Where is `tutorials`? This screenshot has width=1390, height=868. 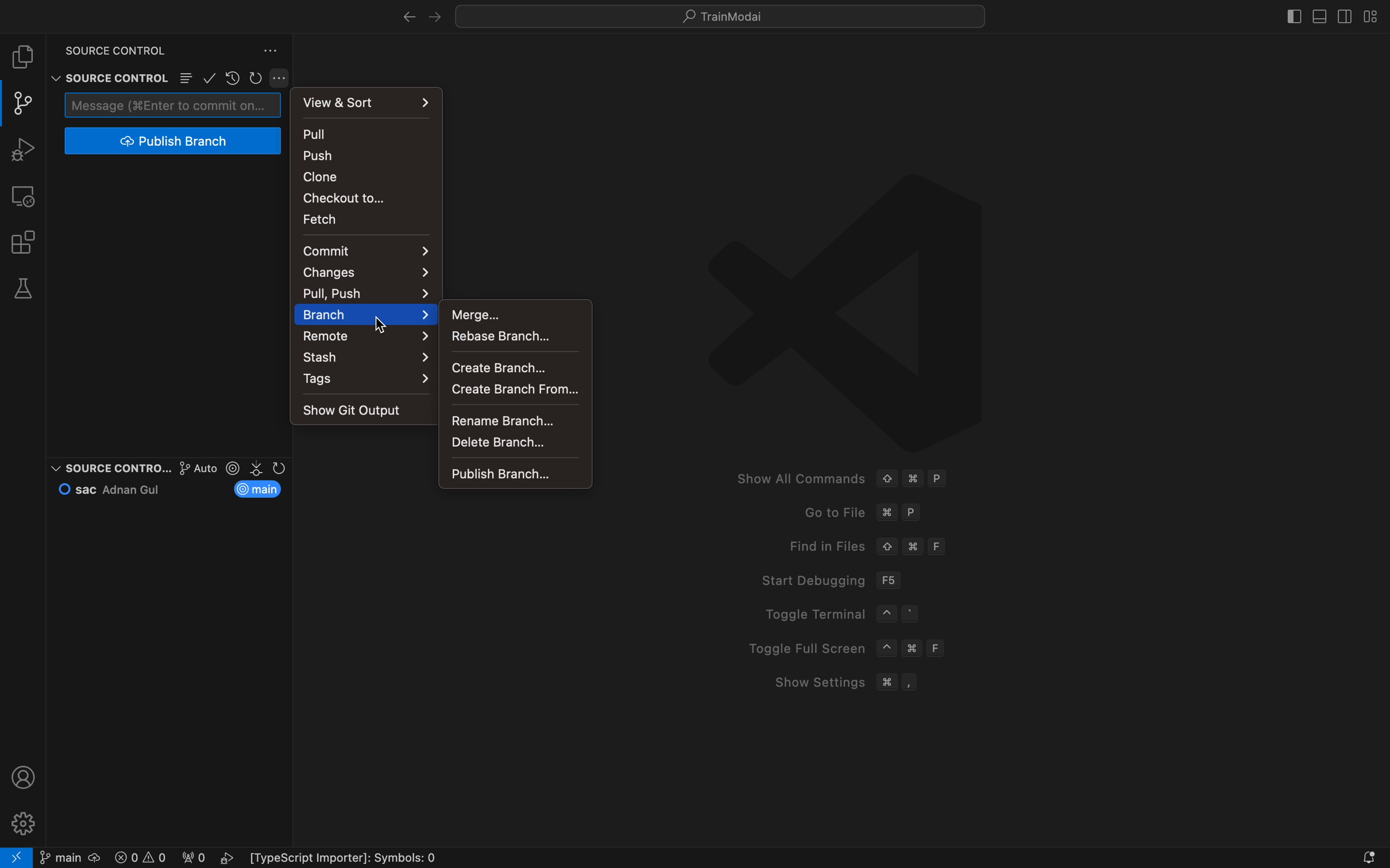 tutorials is located at coordinates (727, 16).